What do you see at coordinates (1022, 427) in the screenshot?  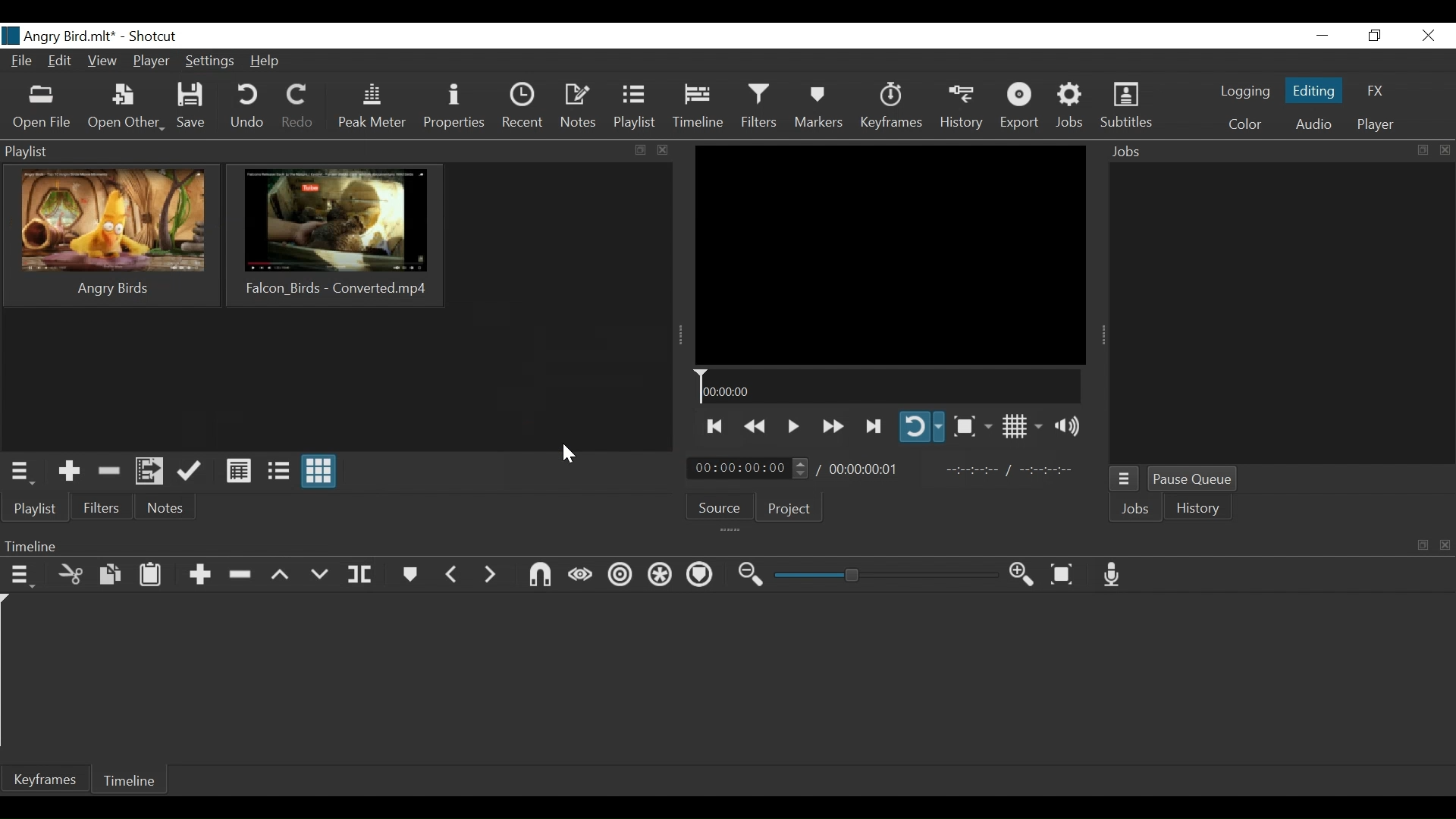 I see `Toggle display grid on the player` at bounding box center [1022, 427].